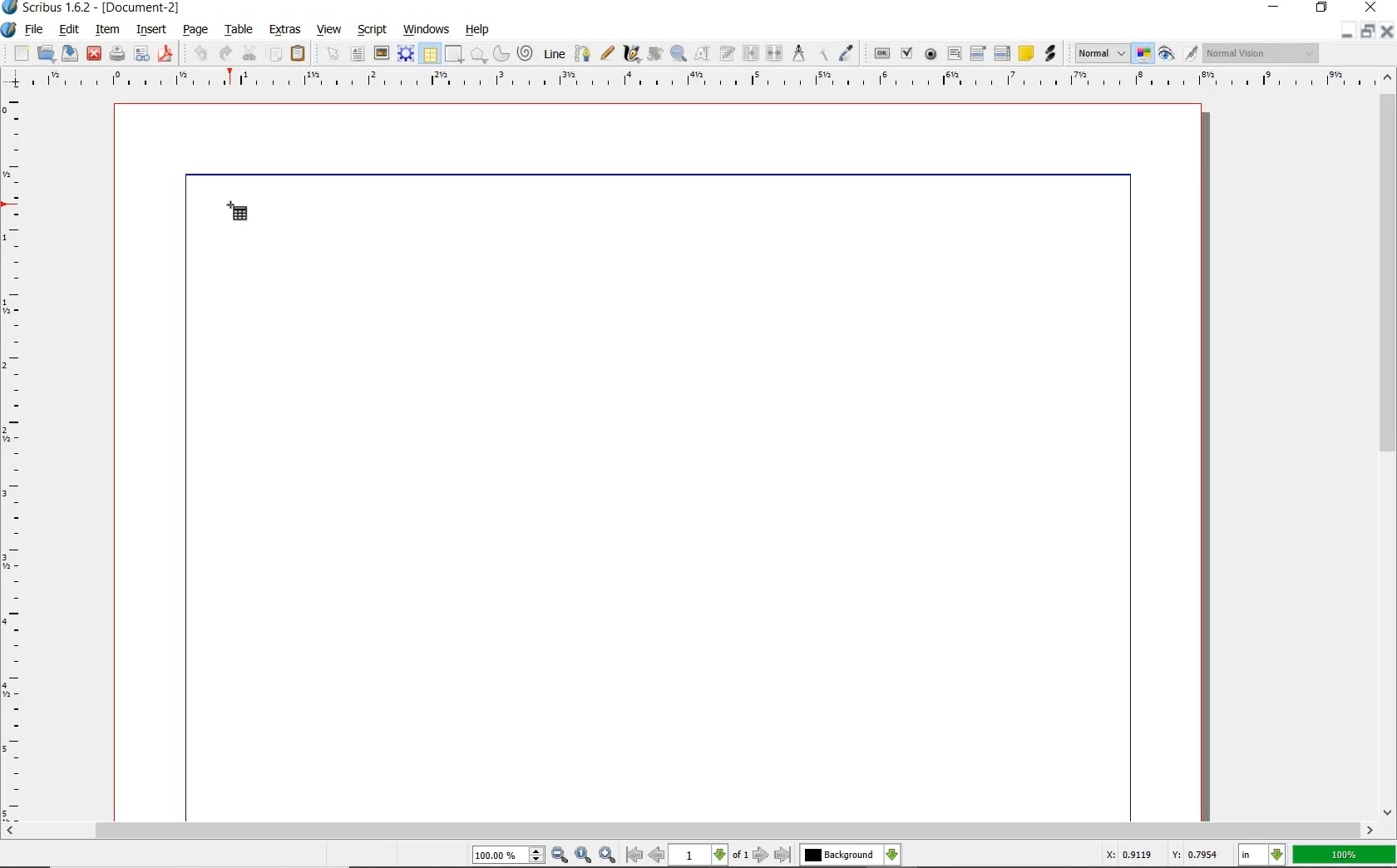 This screenshot has width=1397, height=868. I want to click on view, so click(329, 32).